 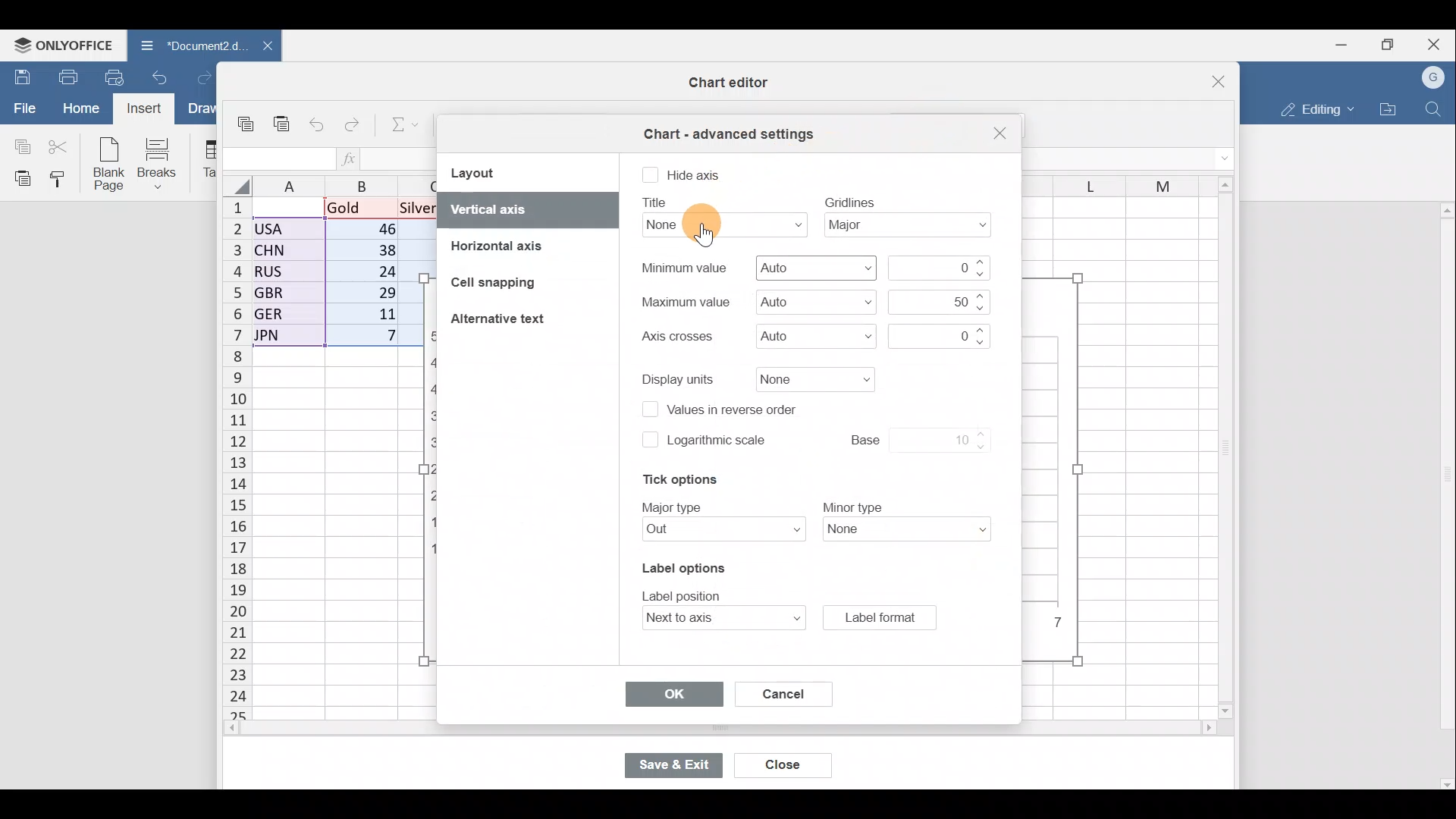 I want to click on OK, so click(x=674, y=696).